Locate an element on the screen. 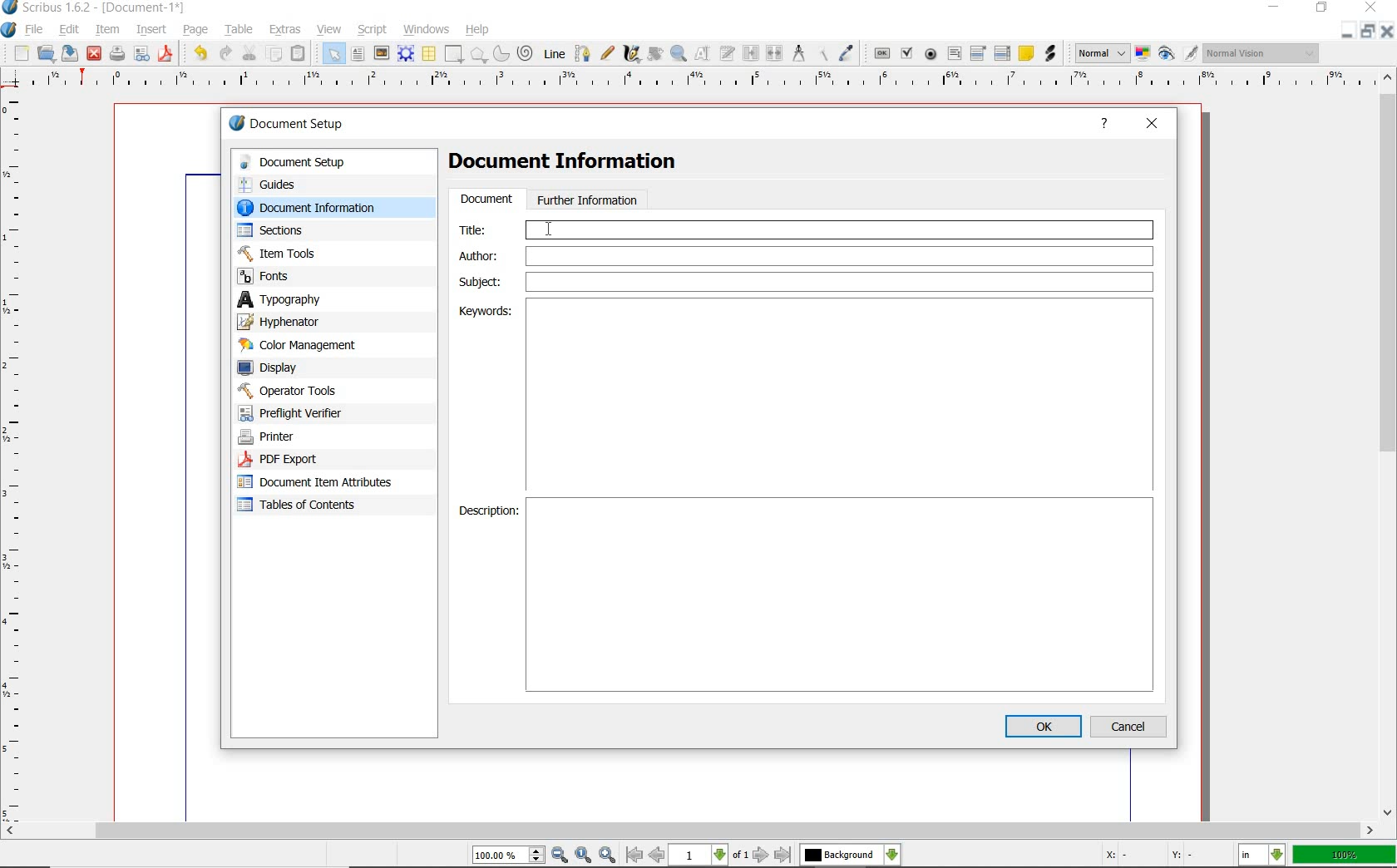 This screenshot has height=868, width=1397. restore is located at coordinates (1364, 32).